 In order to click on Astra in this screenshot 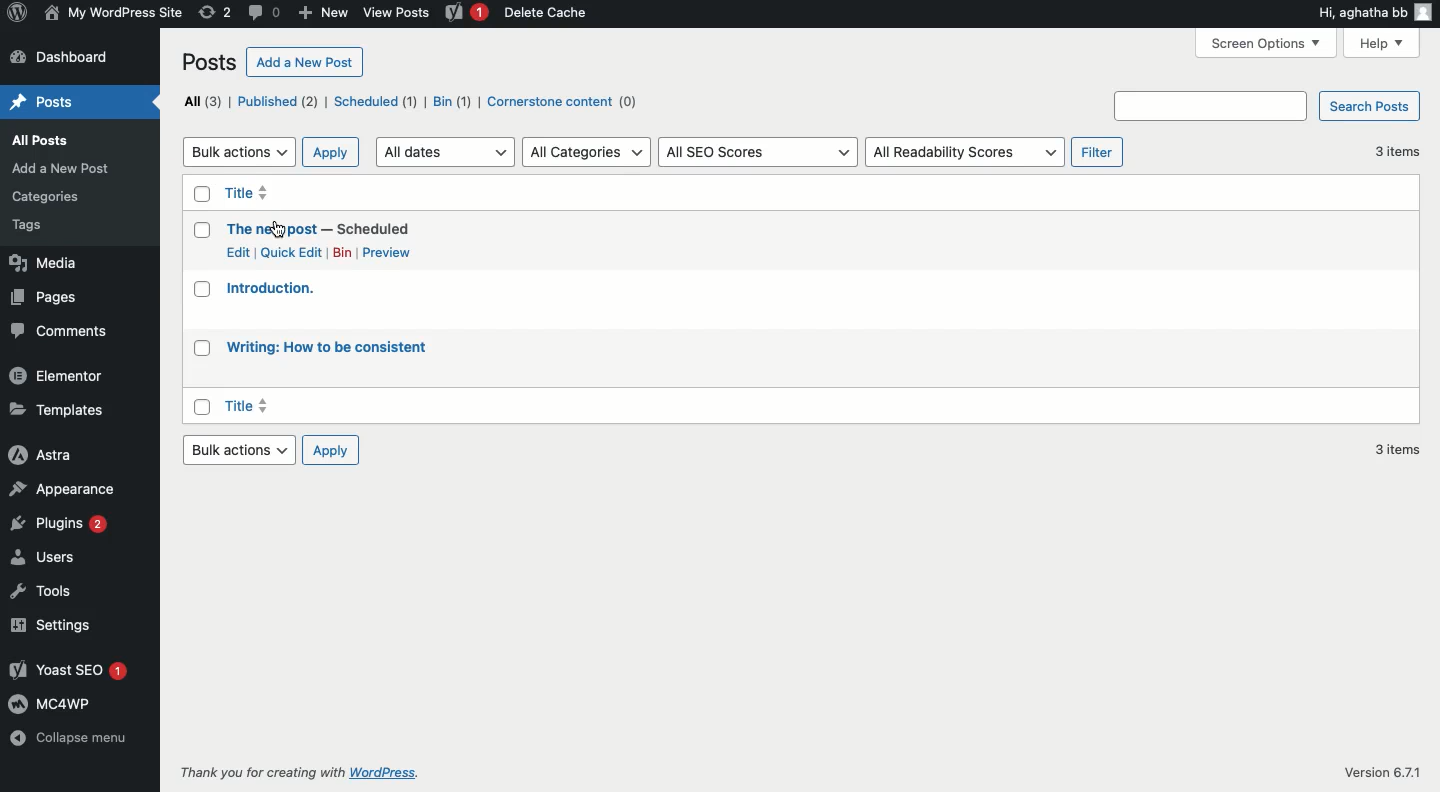, I will do `click(42, 454)`.